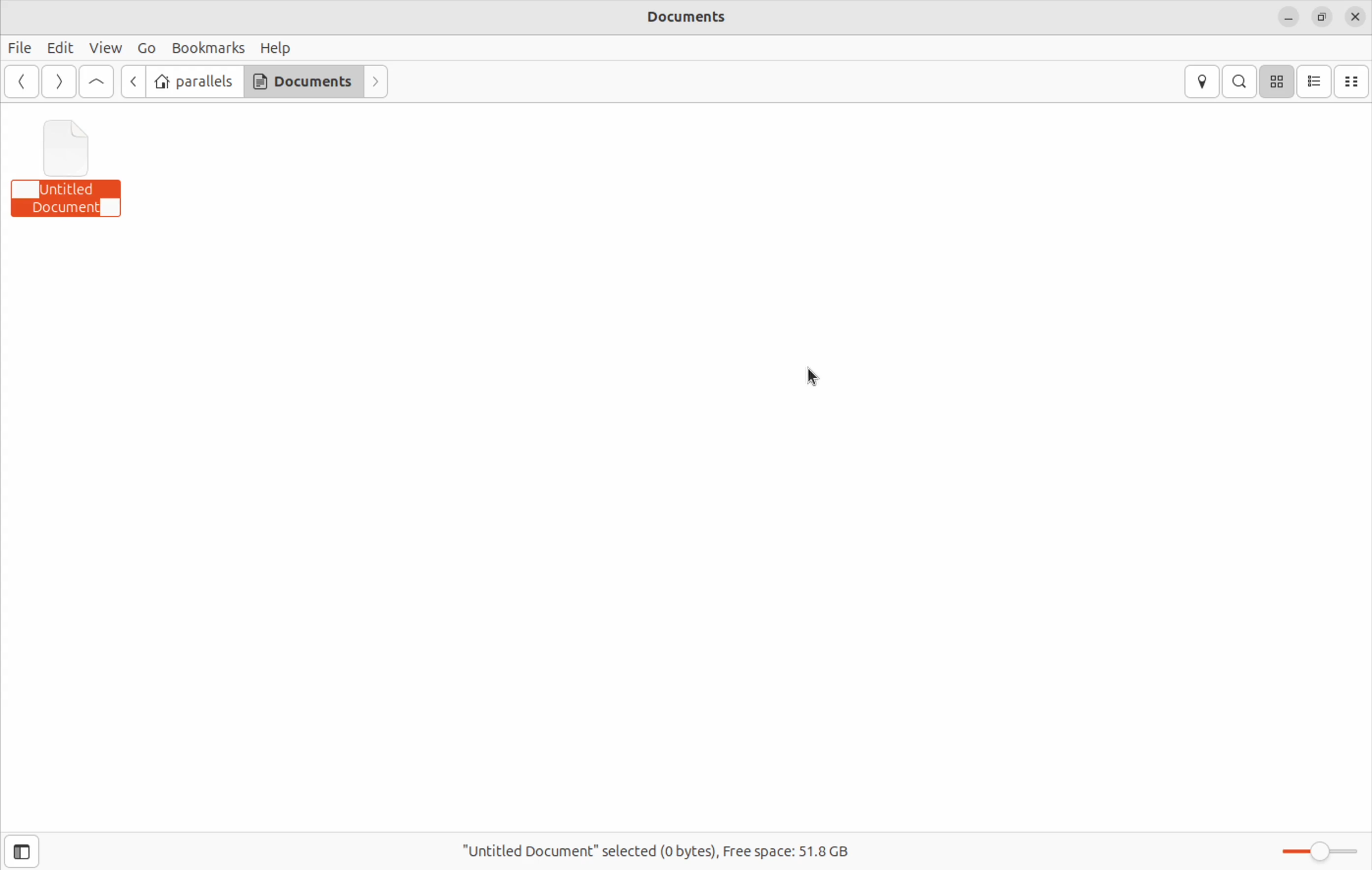 The width and height of the screenshot is (1372, 870). Describe the element at coordinates (1353, 81) in the screenshot. I see `compact view` at that location.